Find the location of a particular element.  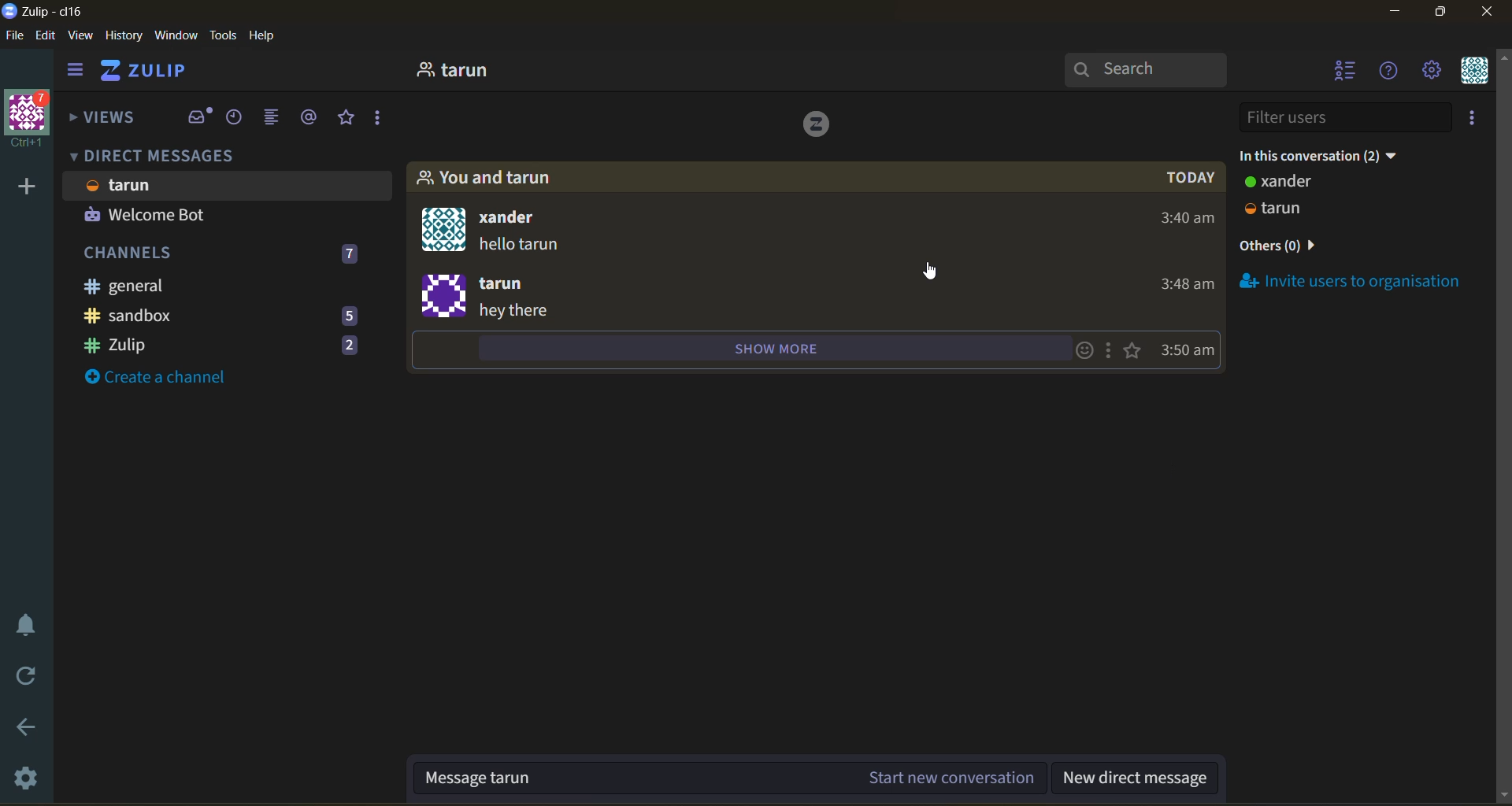

new direct message is located at coordinates (1143, 779).